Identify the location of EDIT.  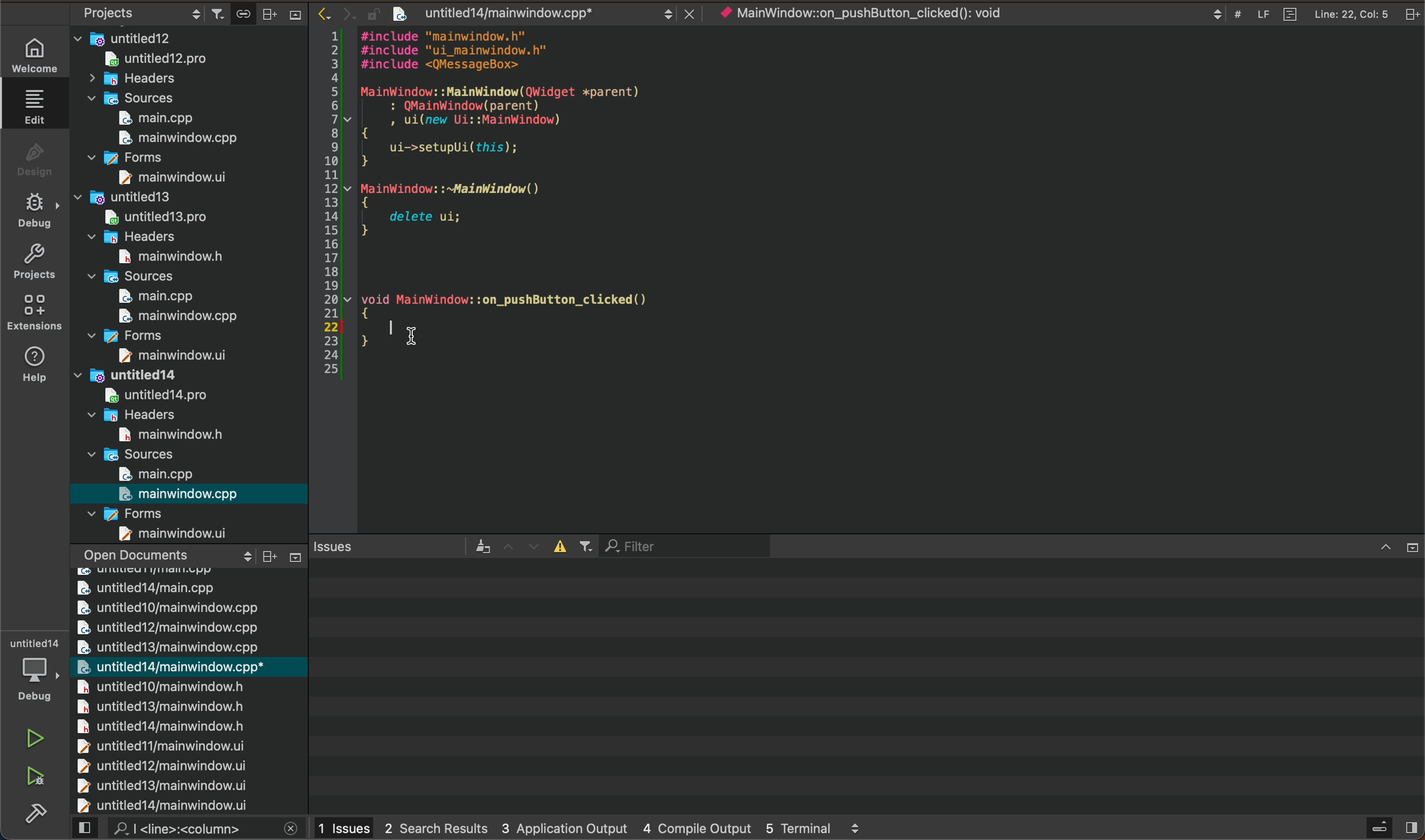
(38, 106).